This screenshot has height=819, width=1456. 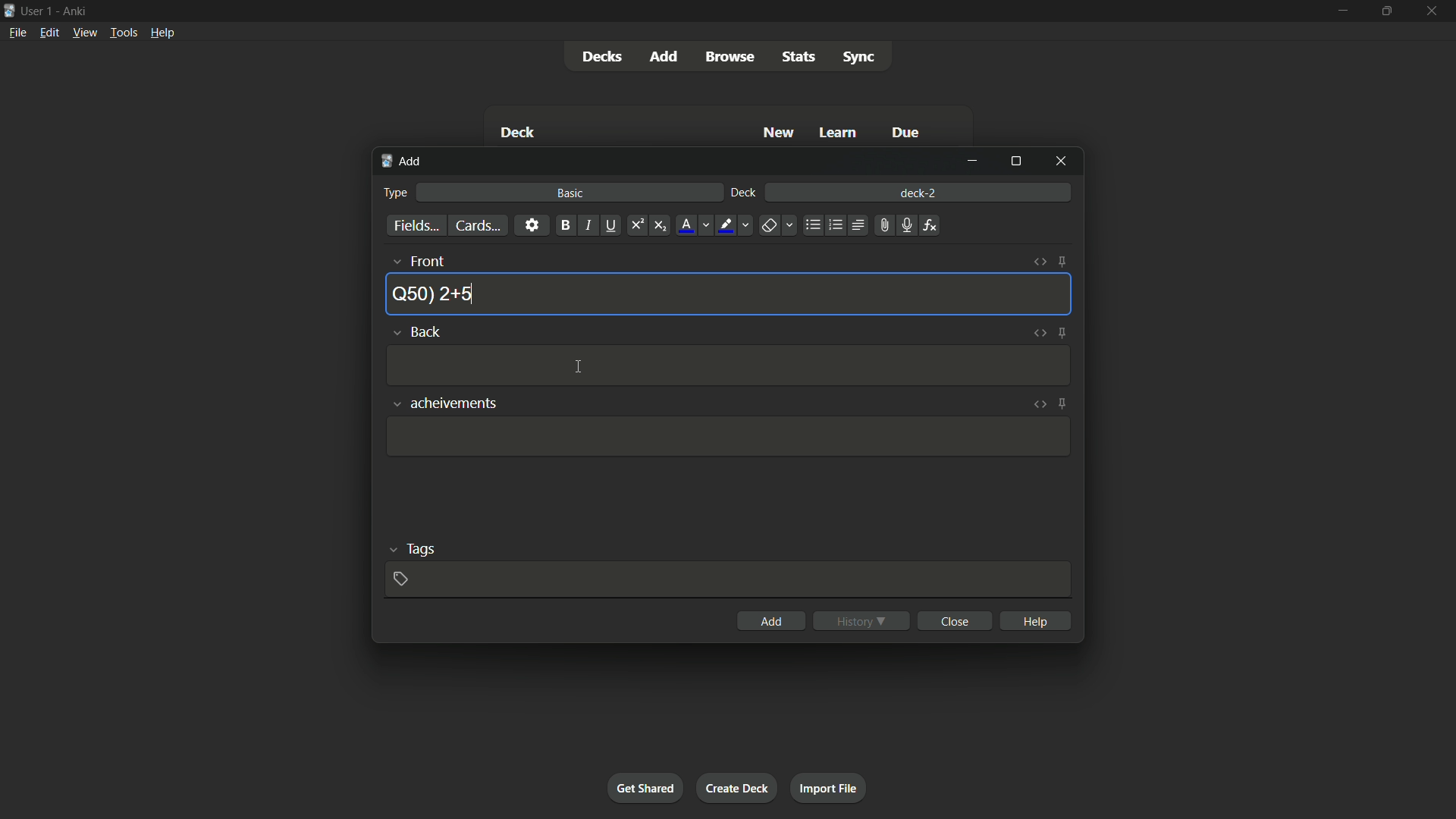 What do you see at coordinates (434, 293) in the screenshot?
I see `Q50) 2+5` at bounding box center [434, 293].